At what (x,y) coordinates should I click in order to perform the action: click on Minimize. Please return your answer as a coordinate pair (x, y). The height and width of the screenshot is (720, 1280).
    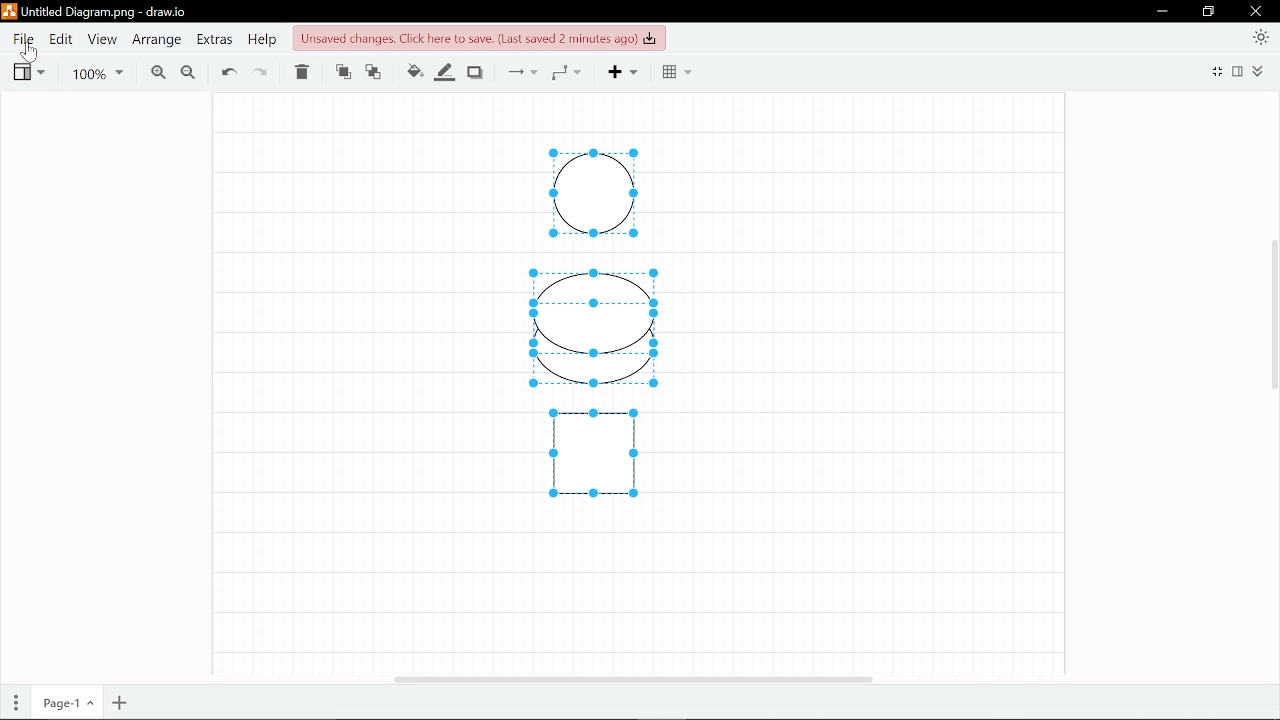
    Looking at the image, I should click on (1162, 12).